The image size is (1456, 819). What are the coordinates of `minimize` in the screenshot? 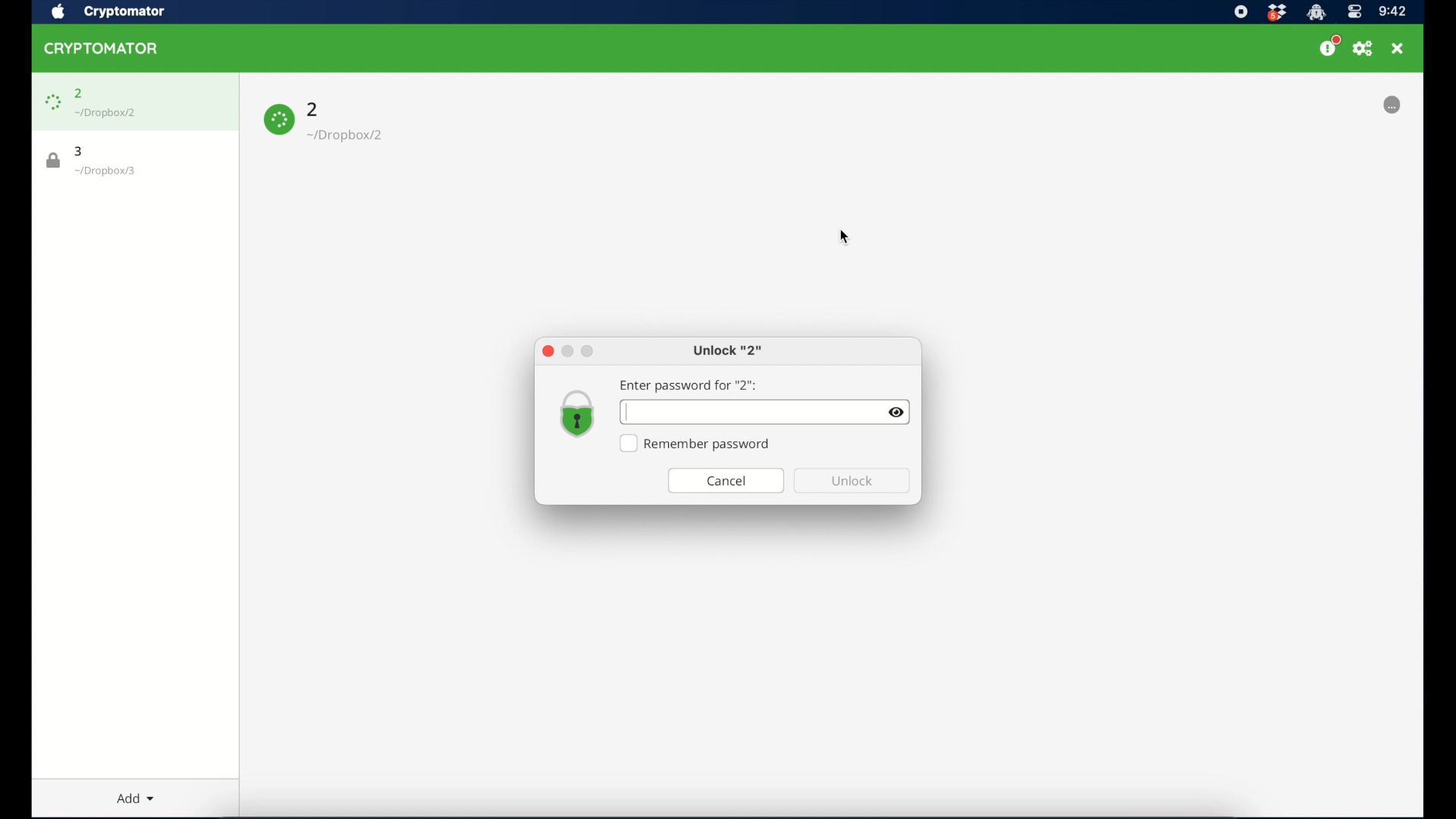 It's located at (568, 350).